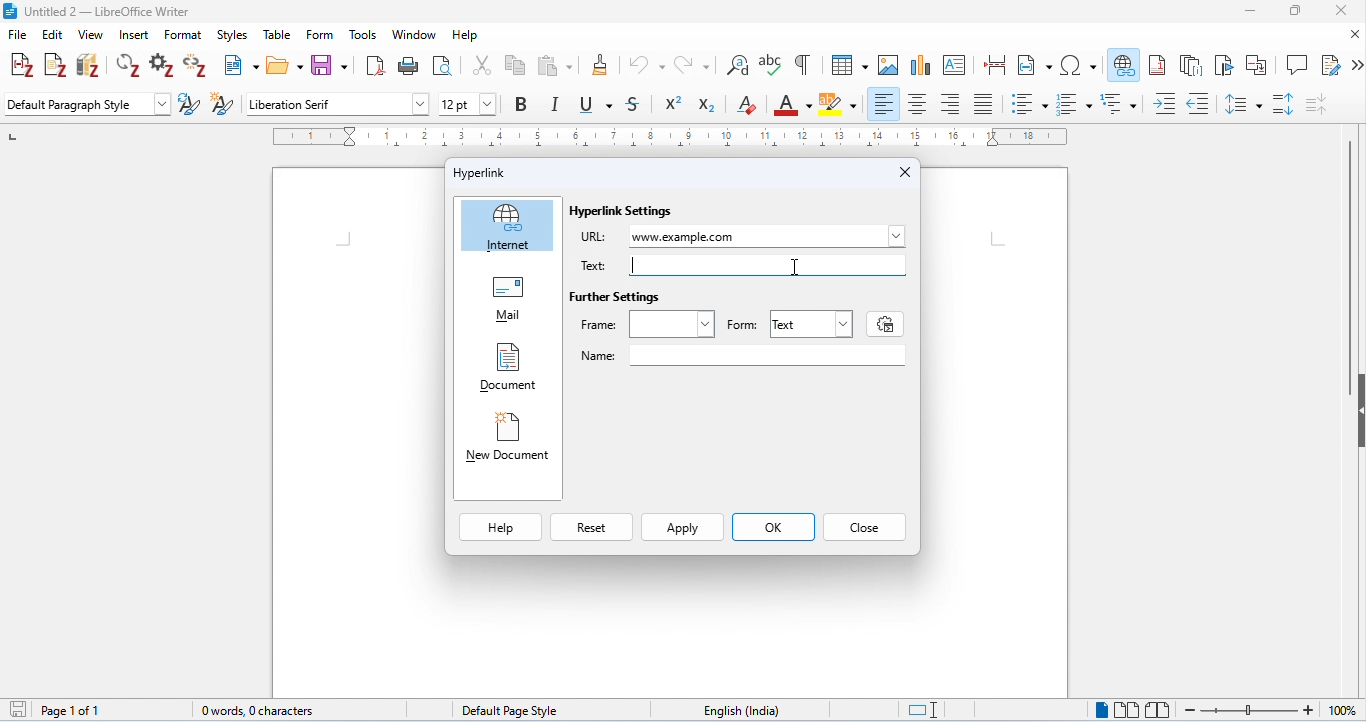  Describe the element at coordinates (709, 104) in the screenshot. I see `subscript` at that location.